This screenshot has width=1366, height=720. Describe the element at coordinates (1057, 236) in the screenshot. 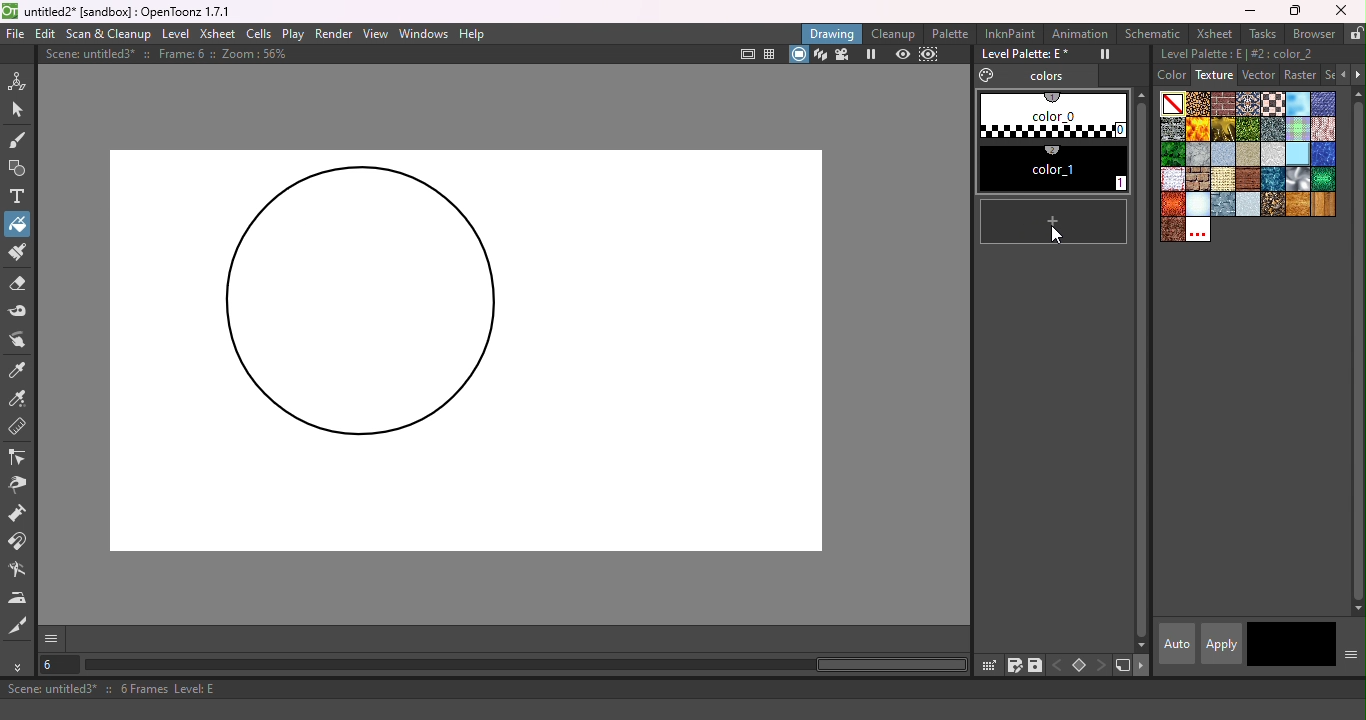

I see `cursor` at that location.